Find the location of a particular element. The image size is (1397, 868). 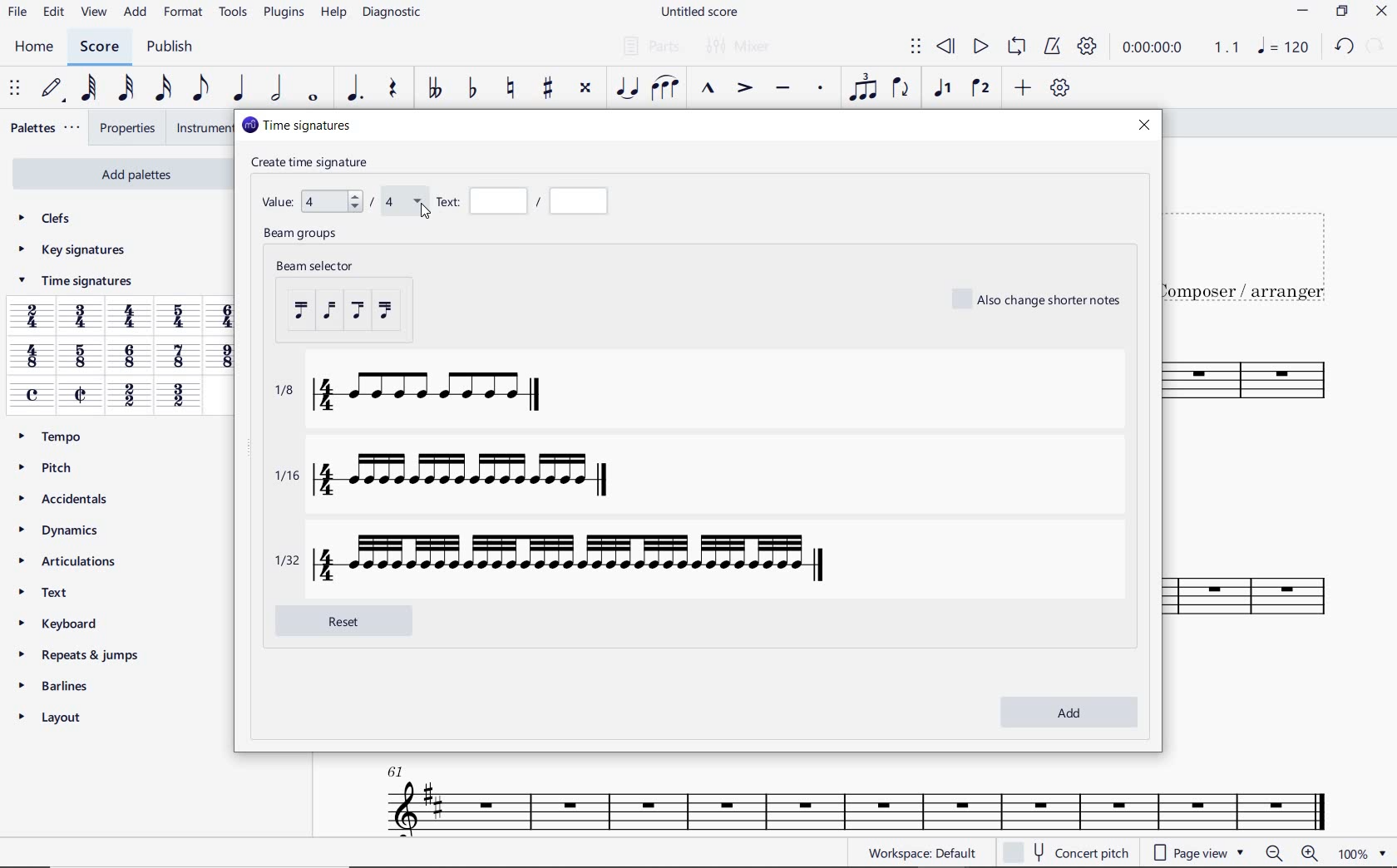

CONCERT PITCH is located at coordinates (1065, 851).